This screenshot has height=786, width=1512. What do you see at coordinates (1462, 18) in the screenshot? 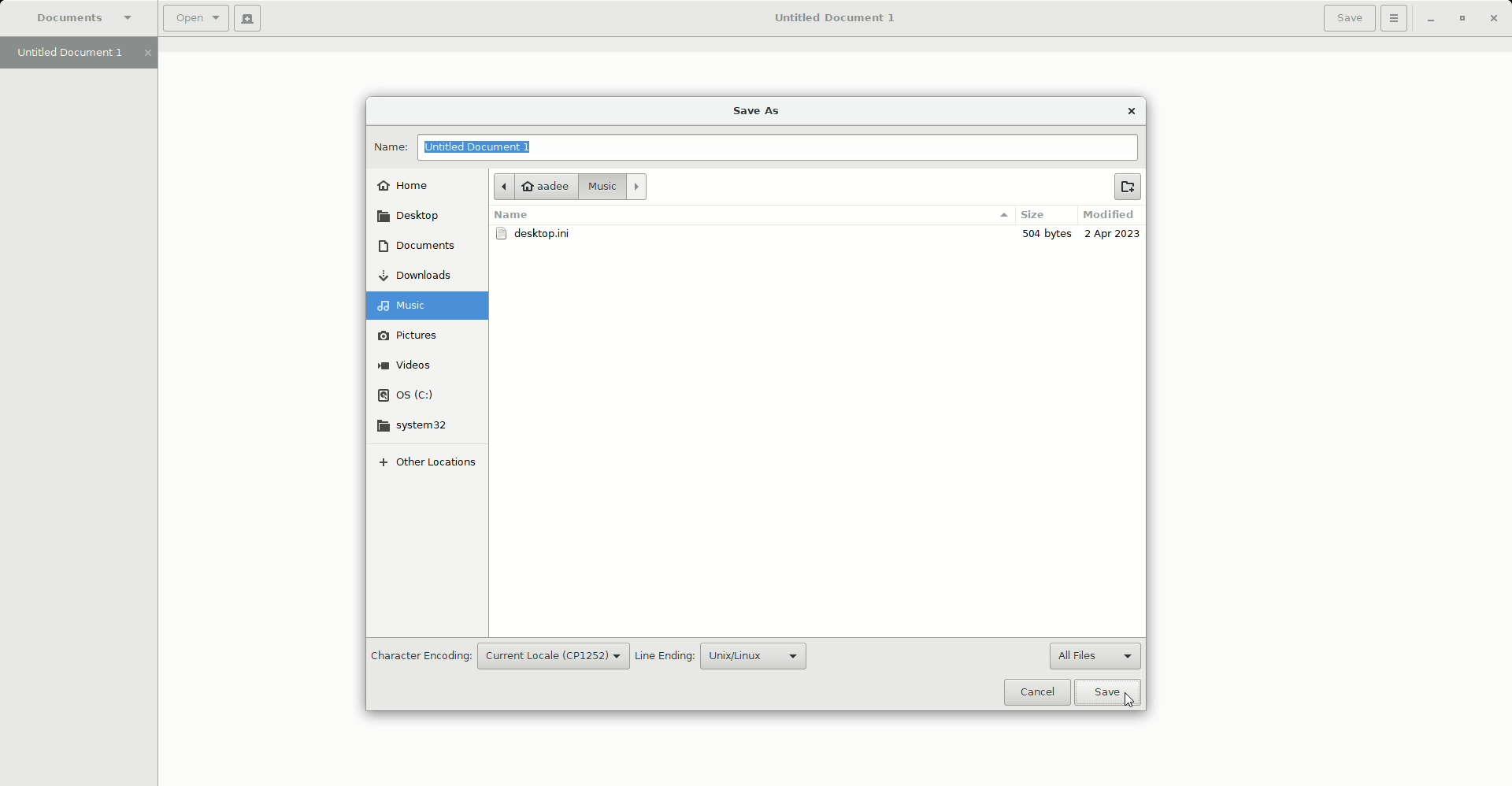
I see `Restore` at bounding box center [1462, 18].